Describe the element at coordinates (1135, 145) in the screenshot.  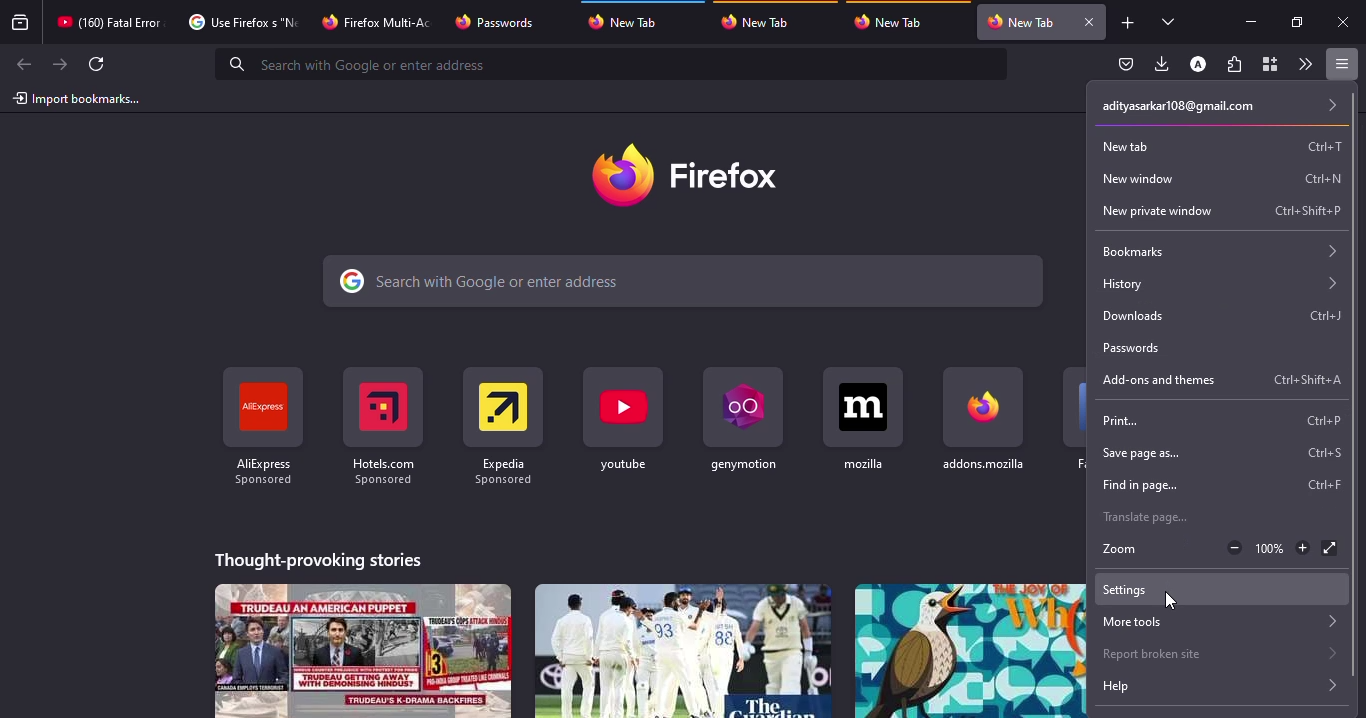
I see `new tab` at that location.